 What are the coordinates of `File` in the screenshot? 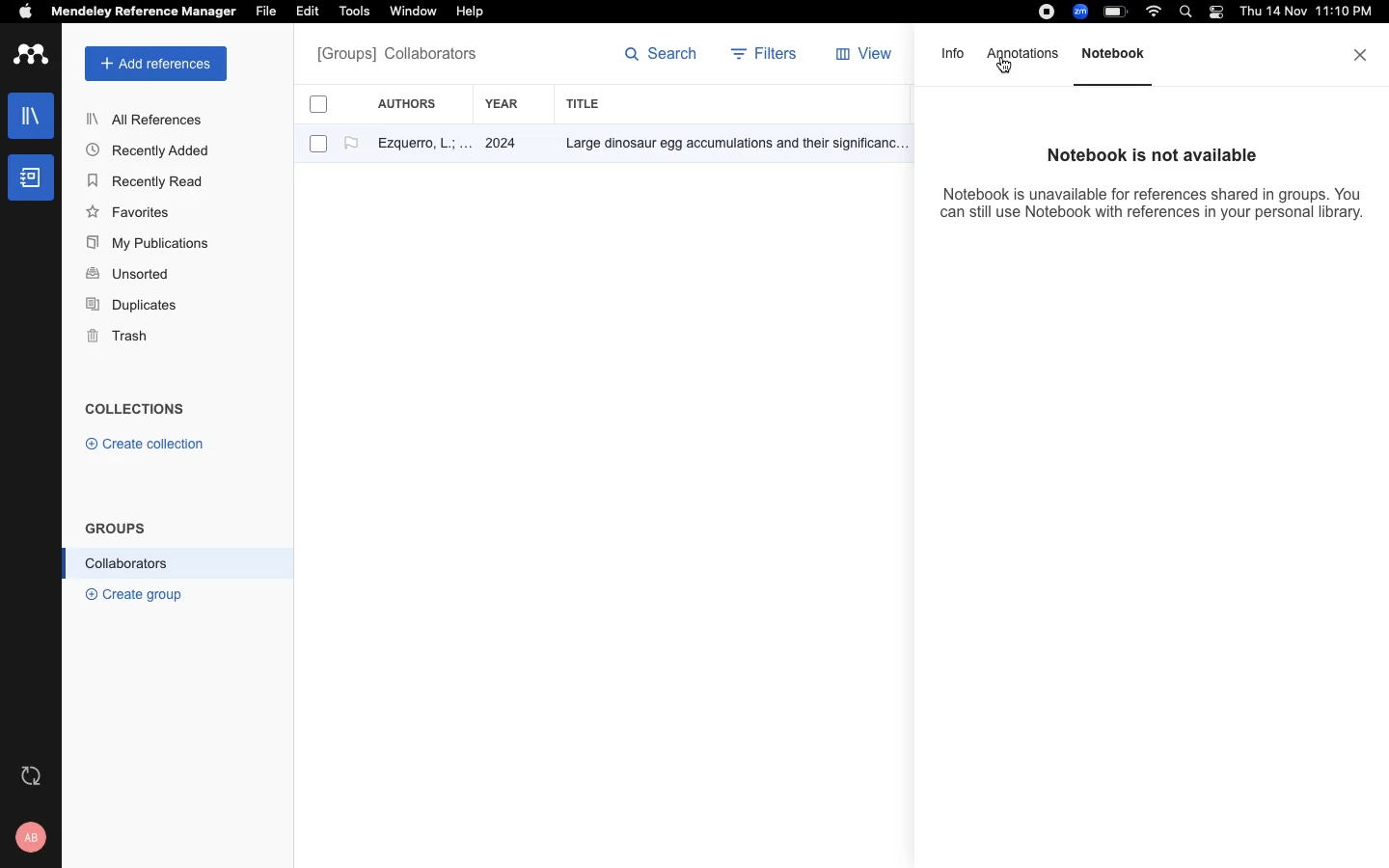 It's located at (265, 10).